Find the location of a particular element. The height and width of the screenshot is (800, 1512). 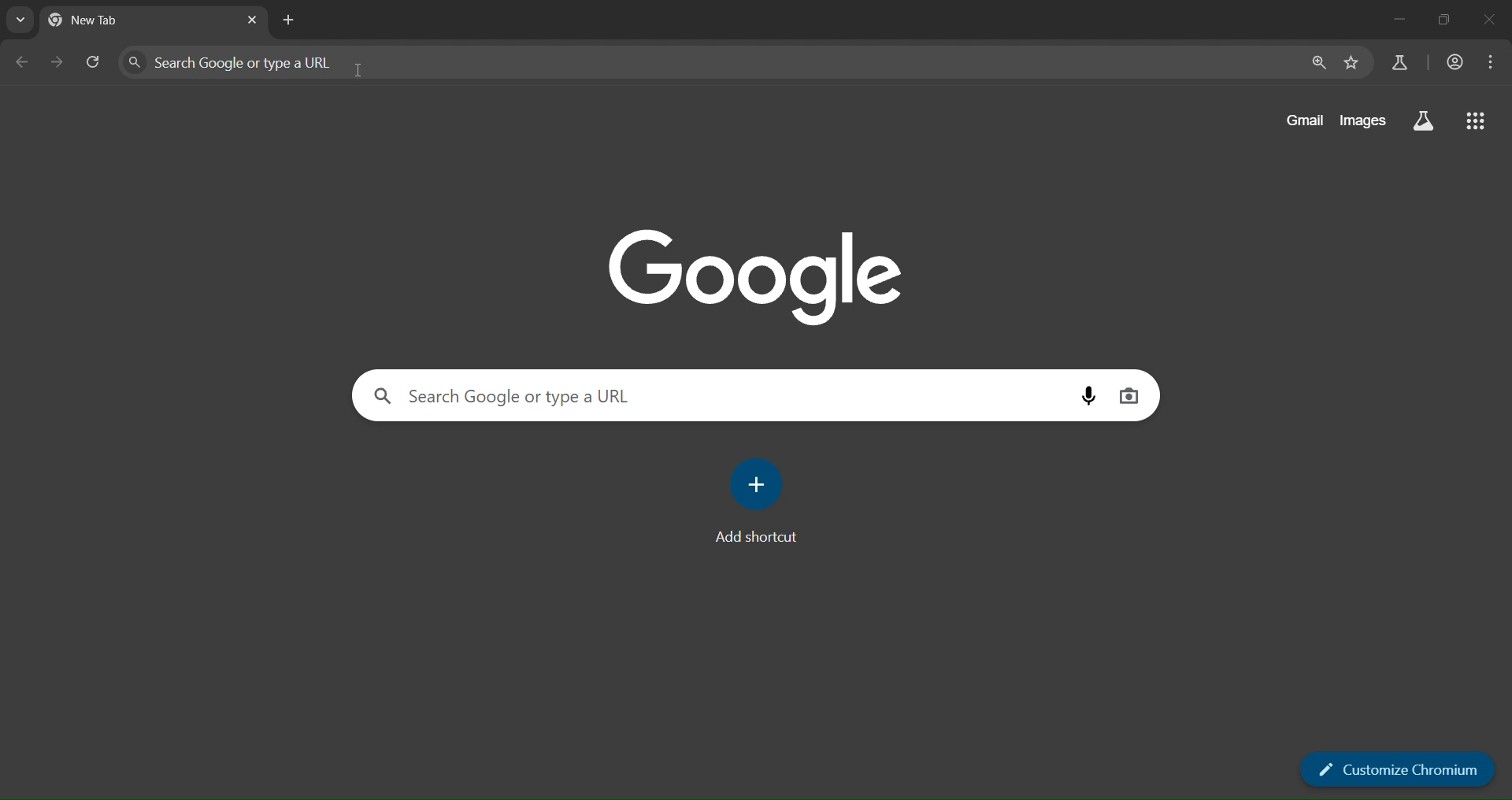

reload page is located at coordinates (95, 62).